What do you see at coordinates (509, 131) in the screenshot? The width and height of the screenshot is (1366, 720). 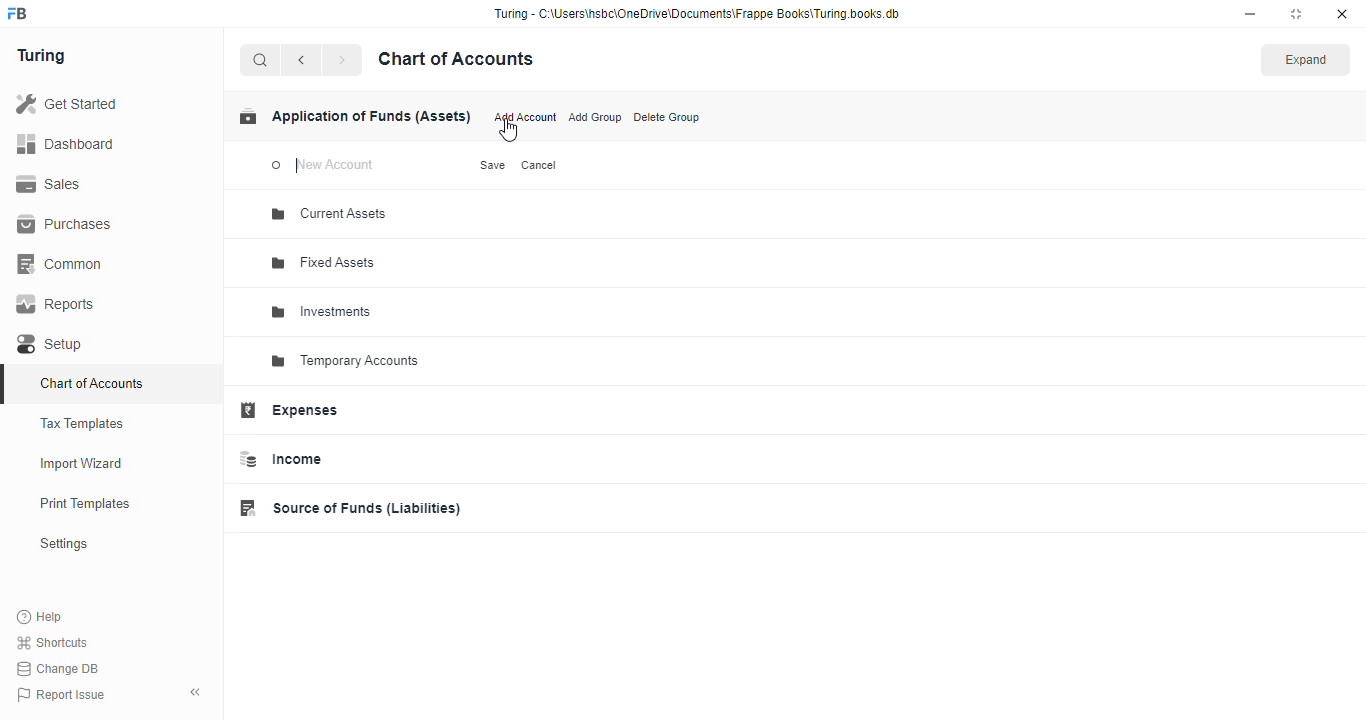 I see `cursor` at bounding box center [509, 131].